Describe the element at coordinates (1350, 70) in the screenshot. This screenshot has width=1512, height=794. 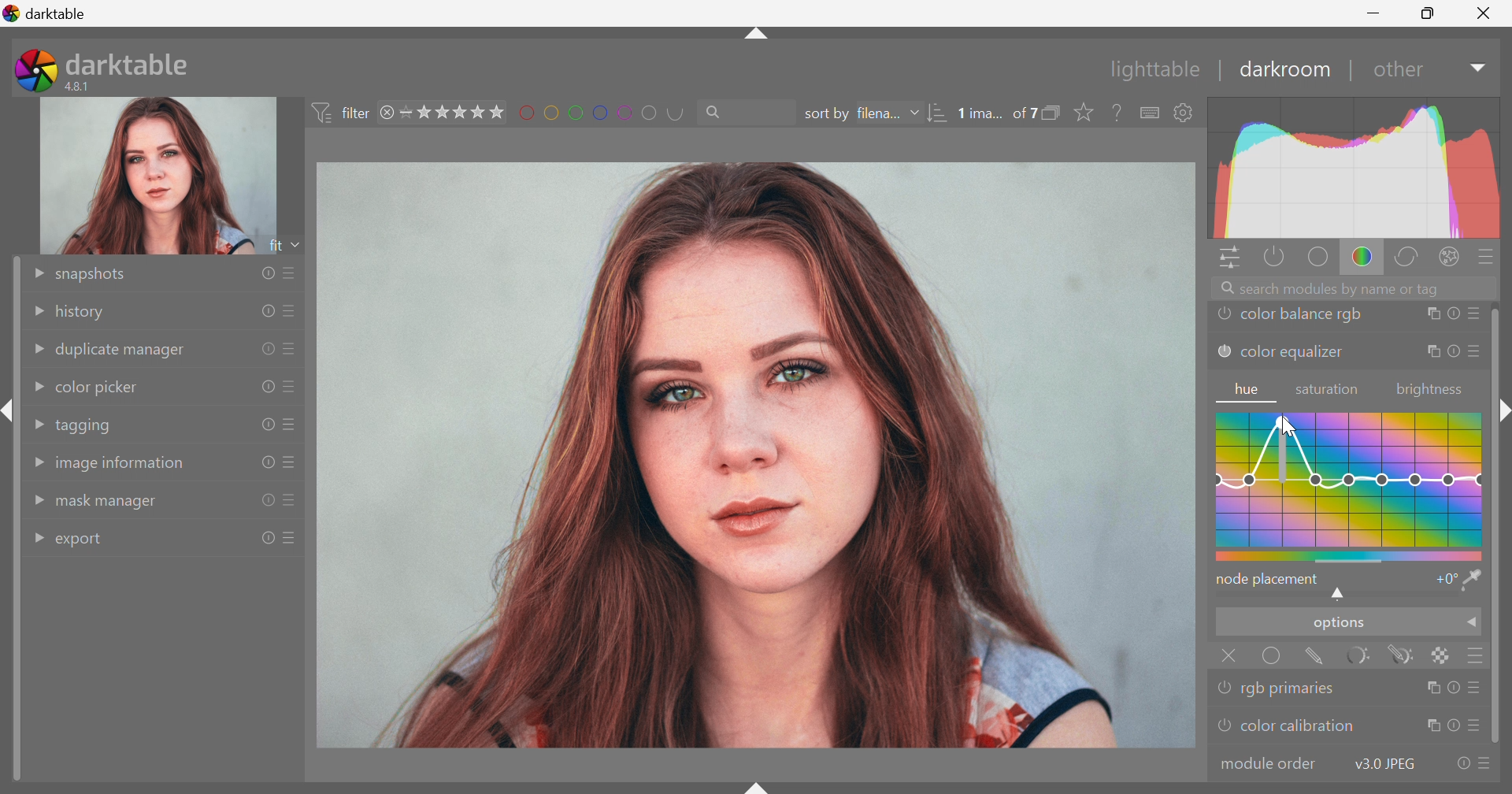
I see `|` at that location.